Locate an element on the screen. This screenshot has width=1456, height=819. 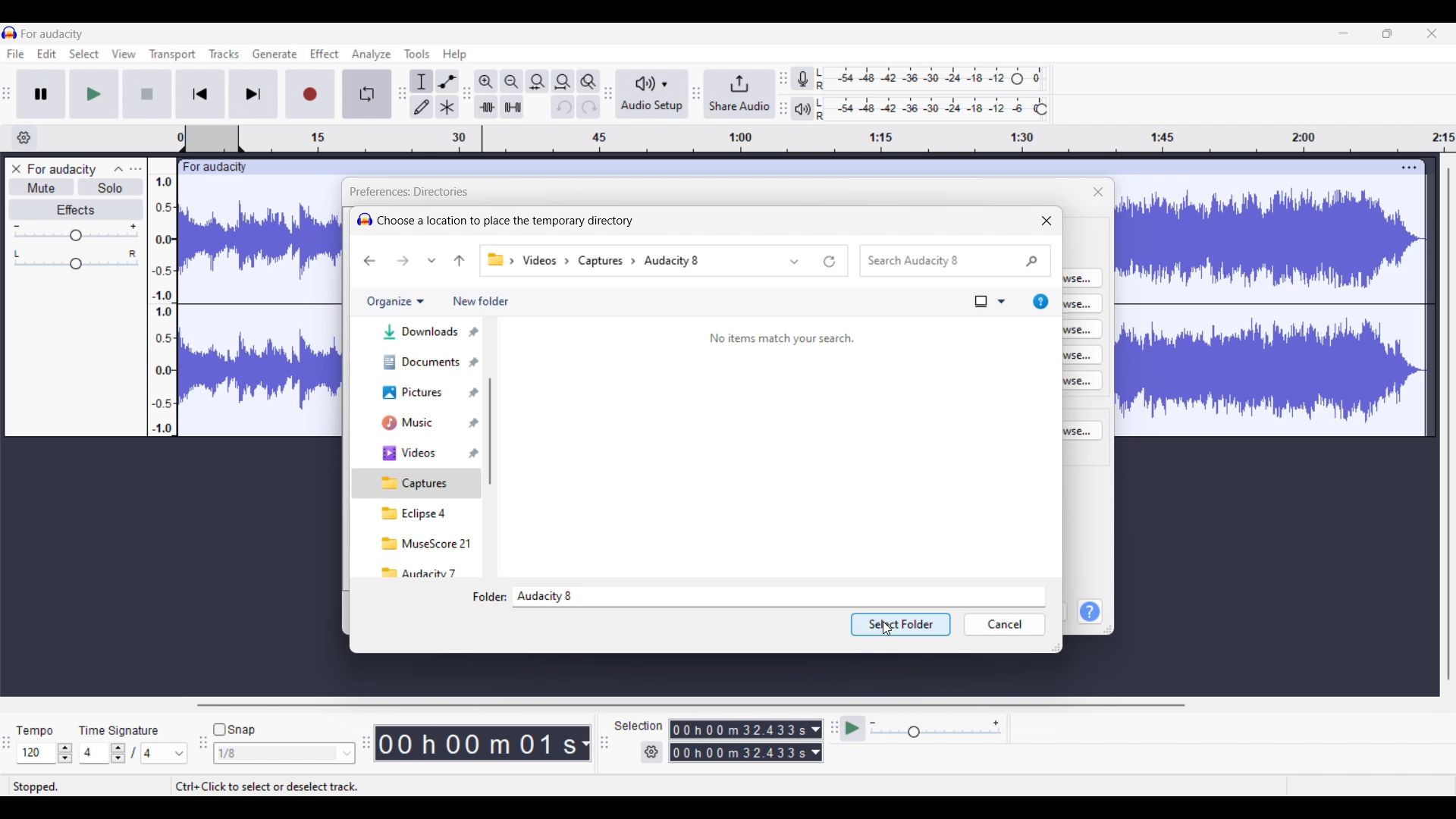
Close is located at coordinates (1099, 192).